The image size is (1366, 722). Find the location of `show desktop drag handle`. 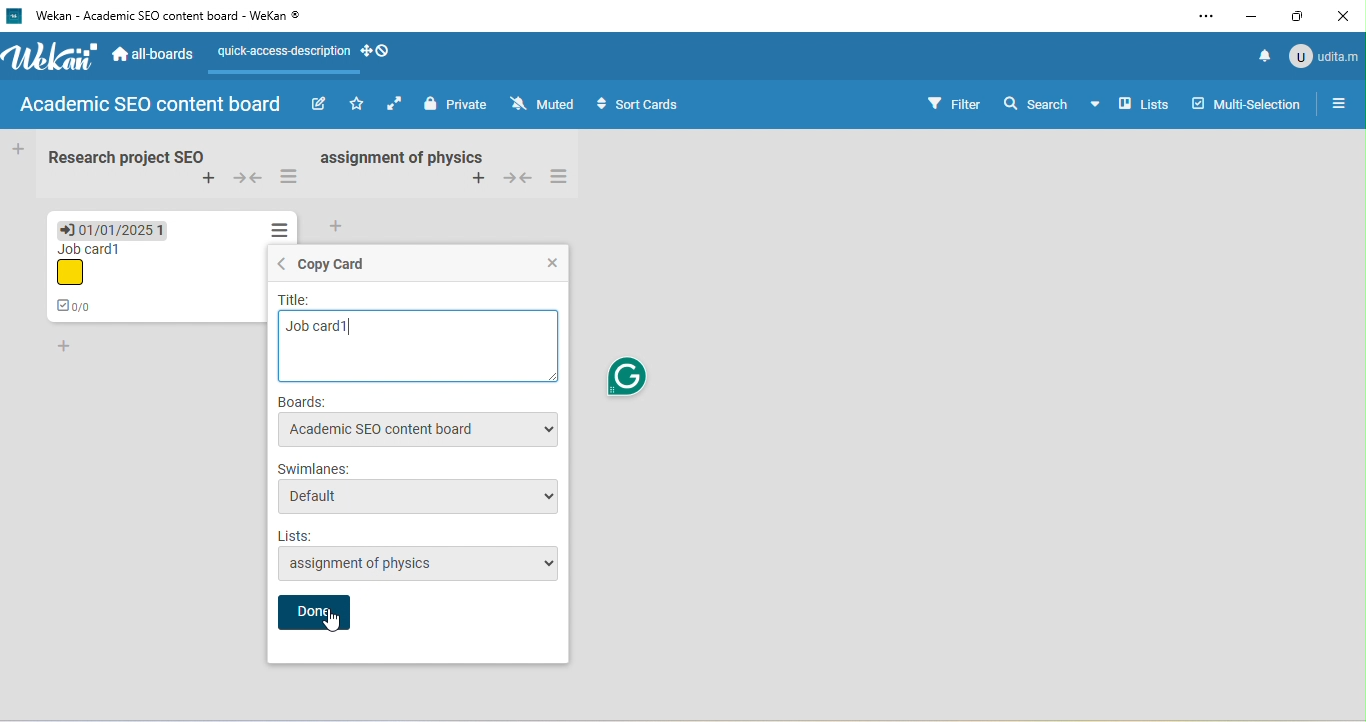

show desktop drag handle is located at coordinates (379, 52).